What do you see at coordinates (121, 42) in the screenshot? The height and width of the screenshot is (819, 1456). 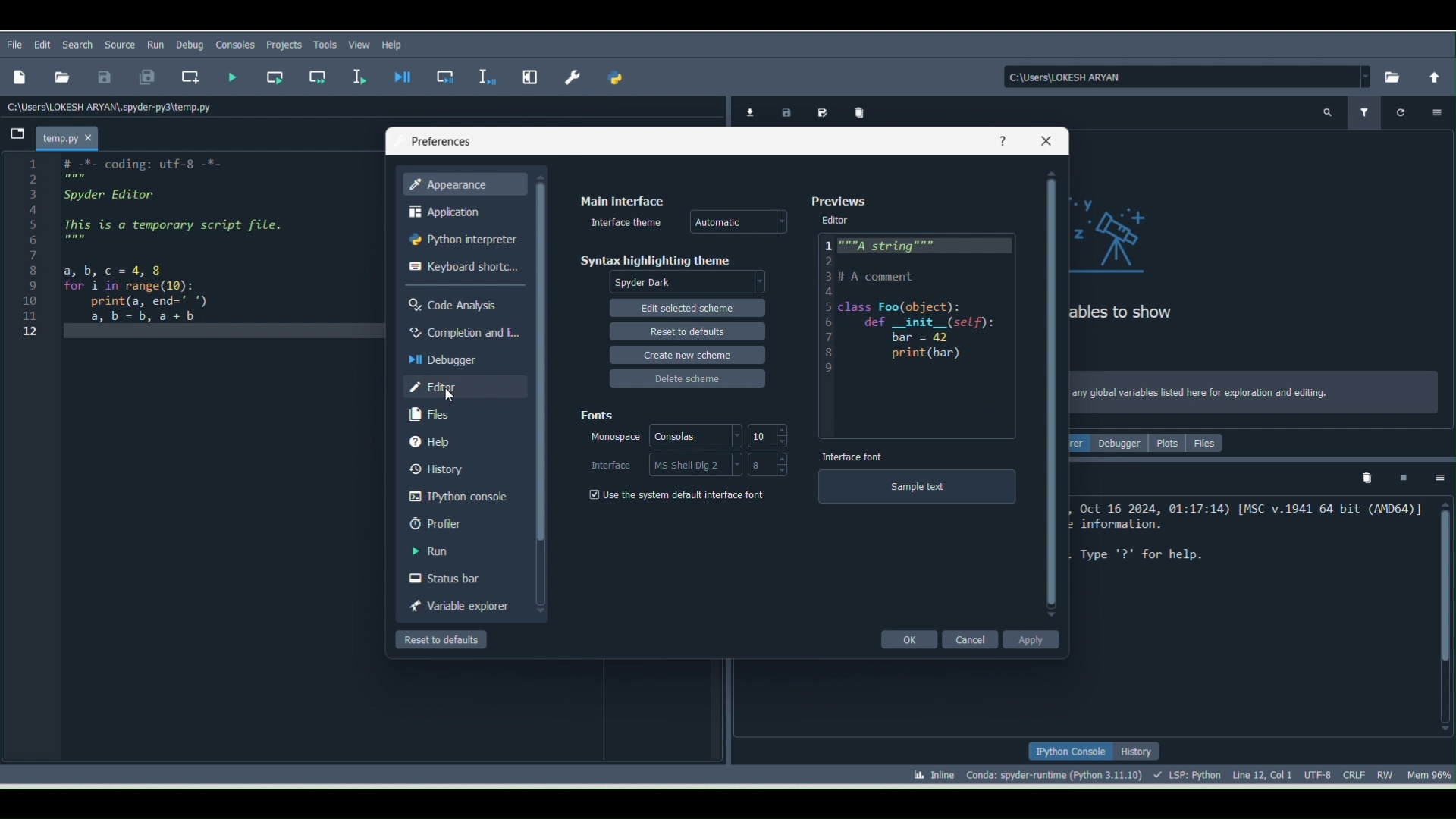 I see `Source` at bounding box center [121, 42].